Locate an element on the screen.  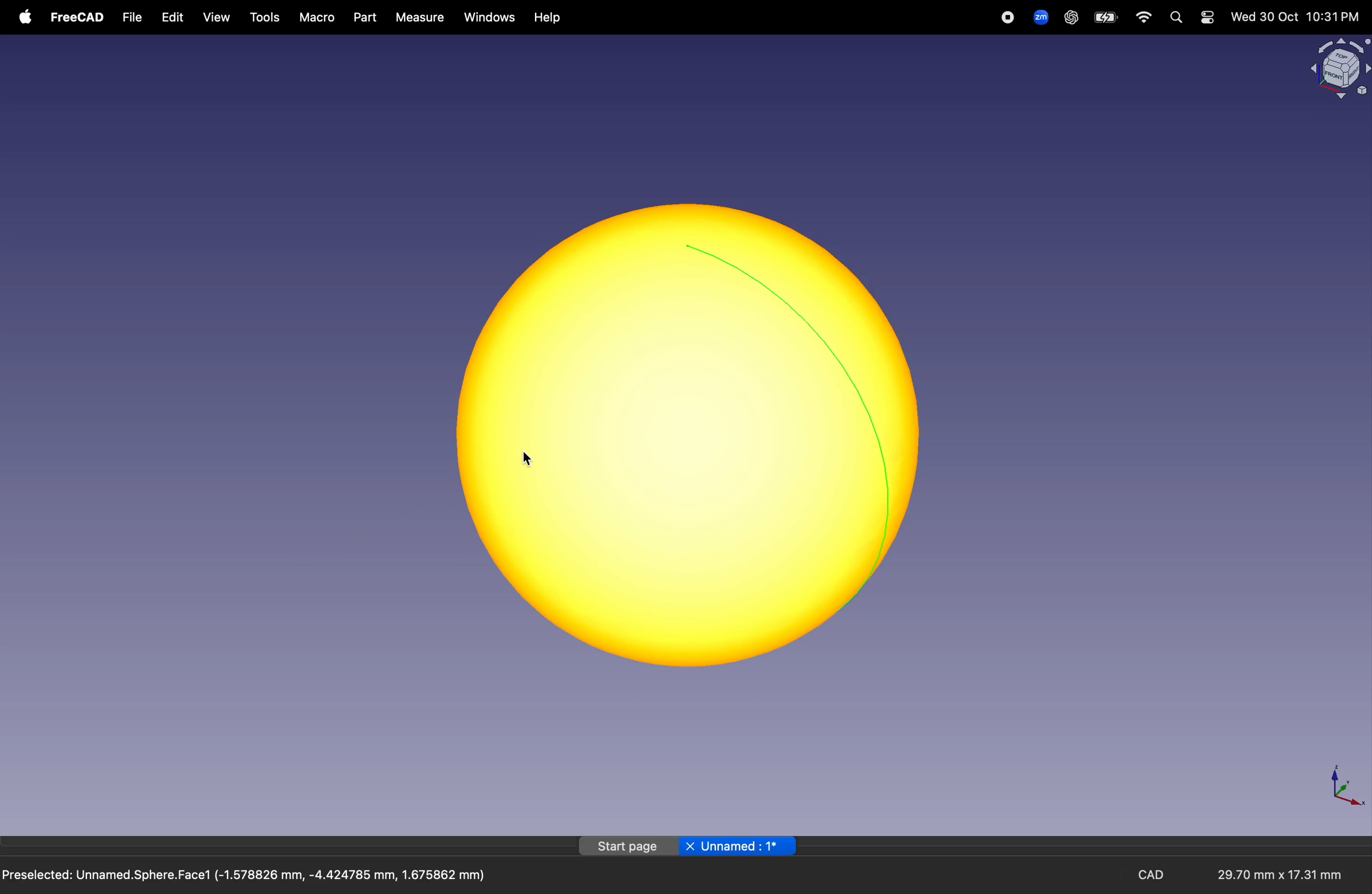
record is located at coordinates (1009, 17).